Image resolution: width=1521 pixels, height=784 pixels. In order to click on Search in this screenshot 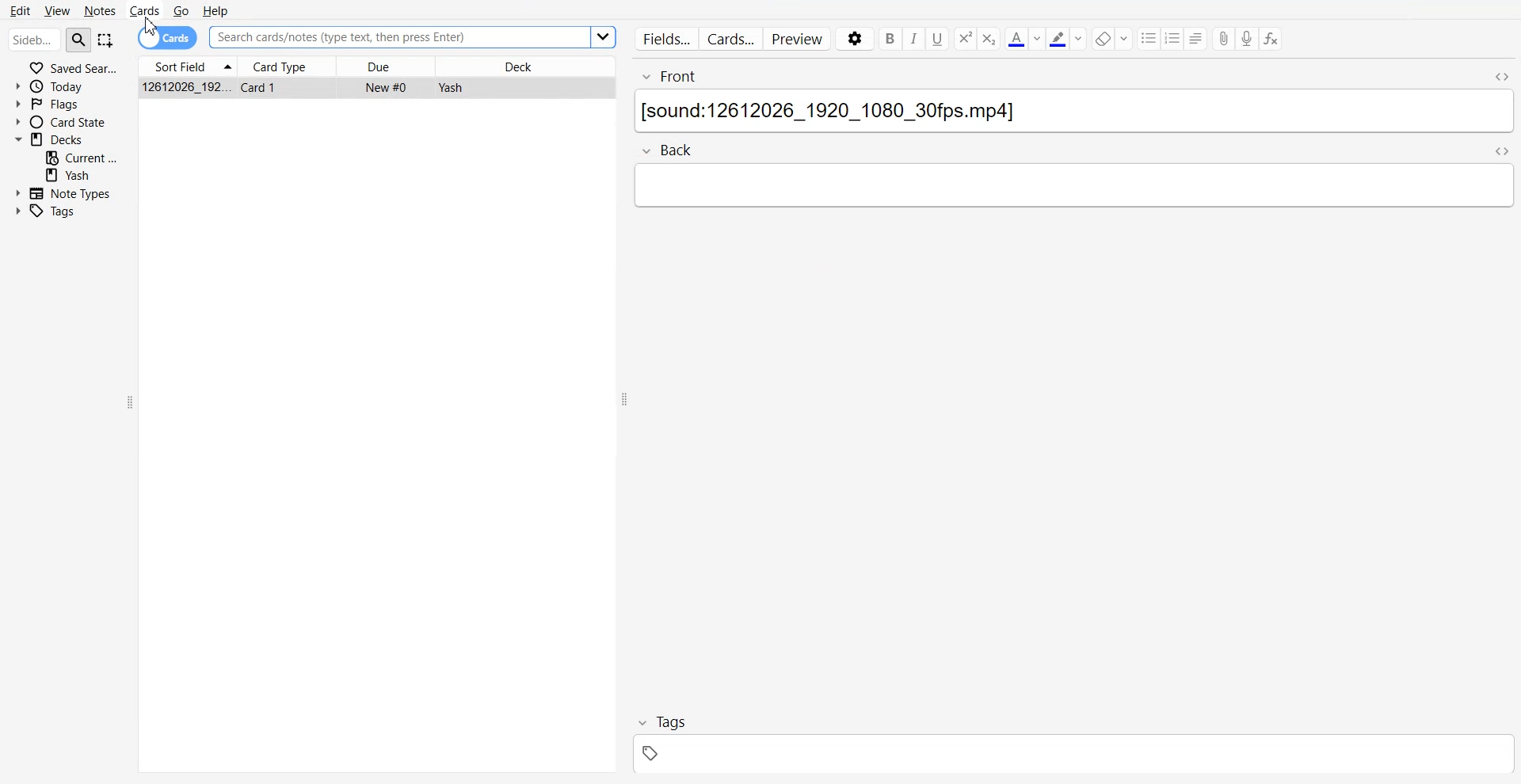, I will do `click(79, 39)`.